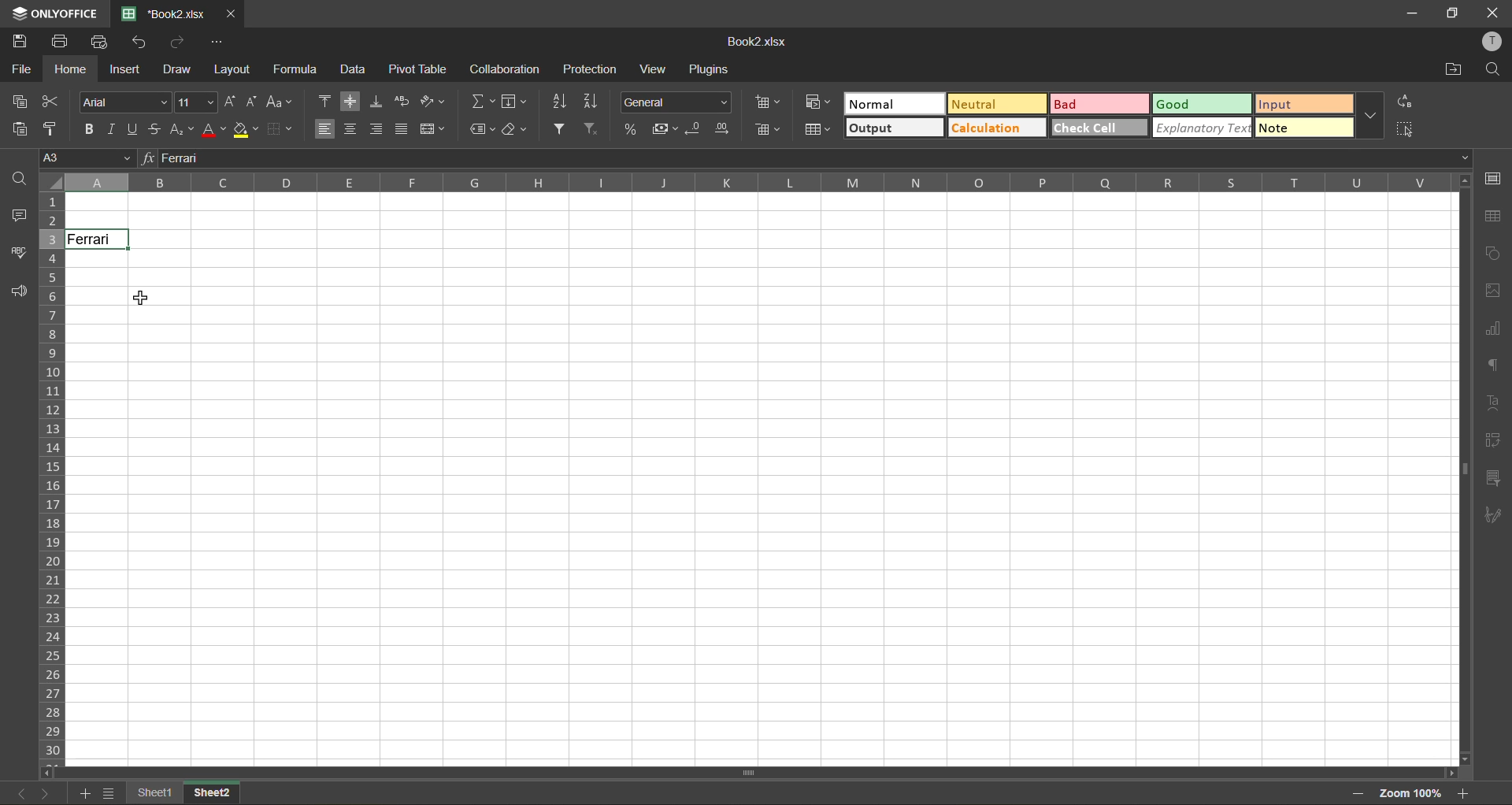 This screenshot has width=1512, height=805. What do you see at coordinates (52, 480) in the screenshot?
I see `row numbers` at bounding box center [52, 480].